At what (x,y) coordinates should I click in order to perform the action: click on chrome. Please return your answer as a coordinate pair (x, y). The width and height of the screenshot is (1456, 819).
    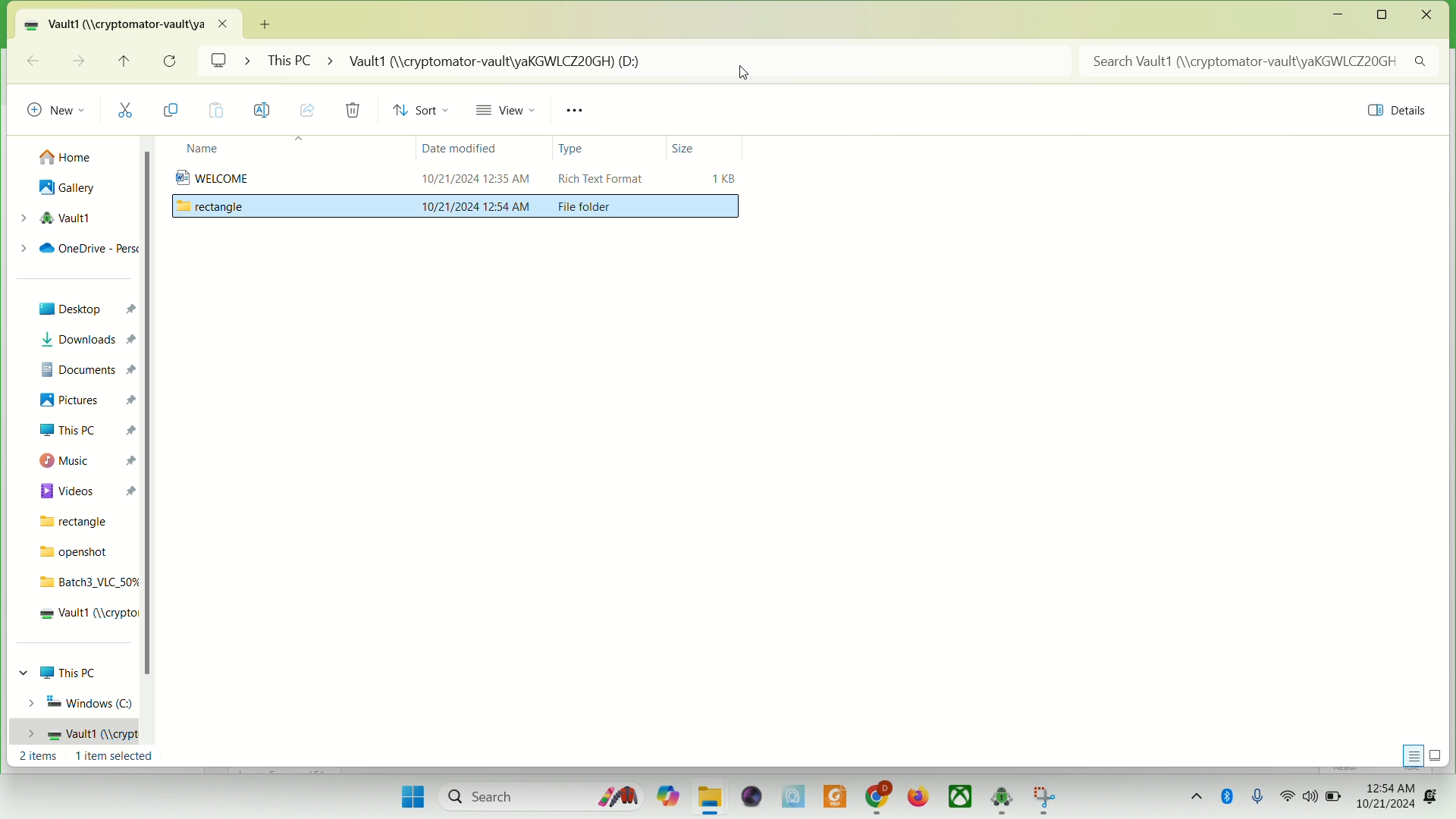
    Looking at the image, I should click on (877, 795).